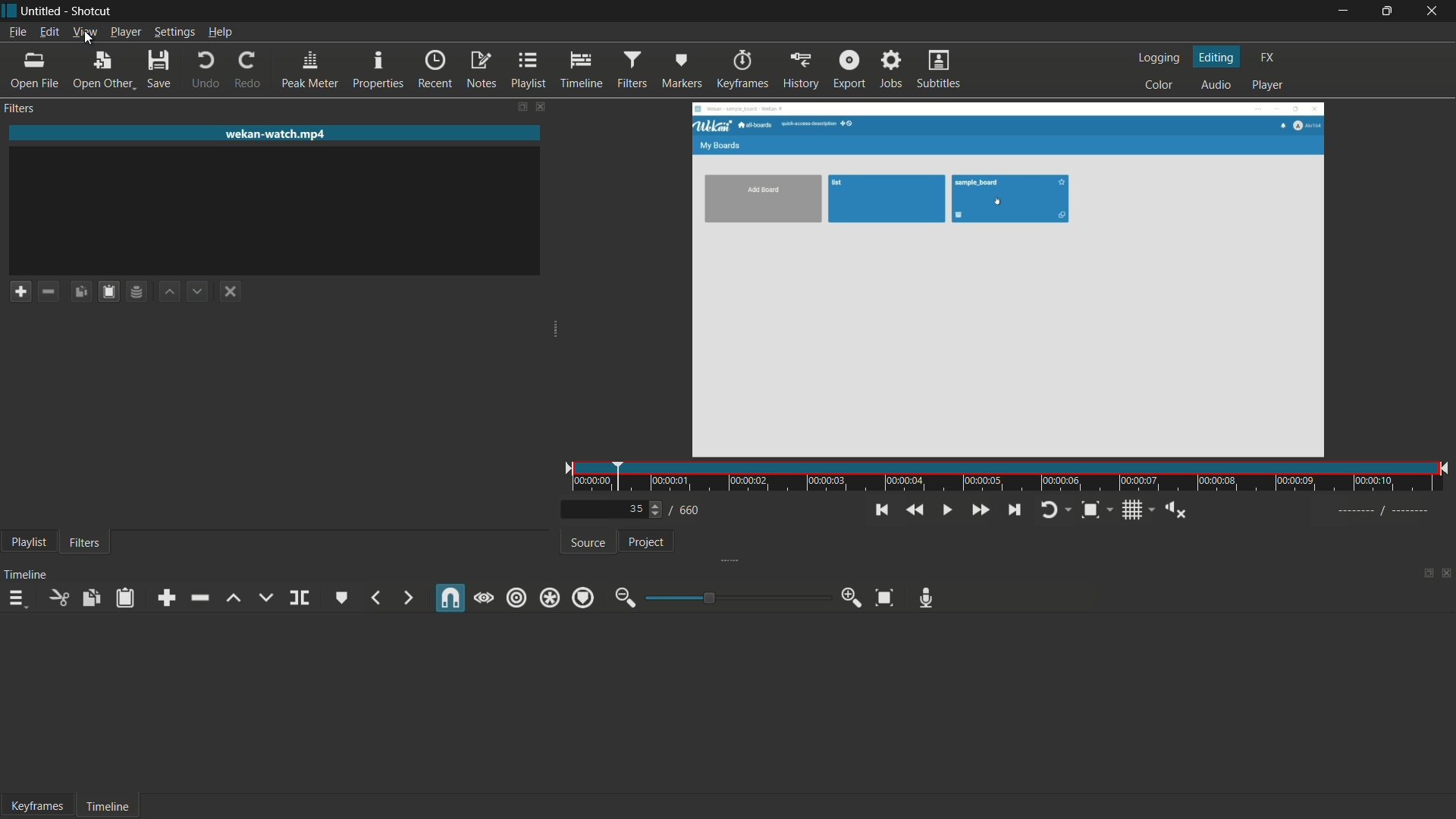 The image size is (1456, 819). What do you see at coordinates (1263, 85) in the screenshot?
I see `player` at bounding box center [1263, 85].